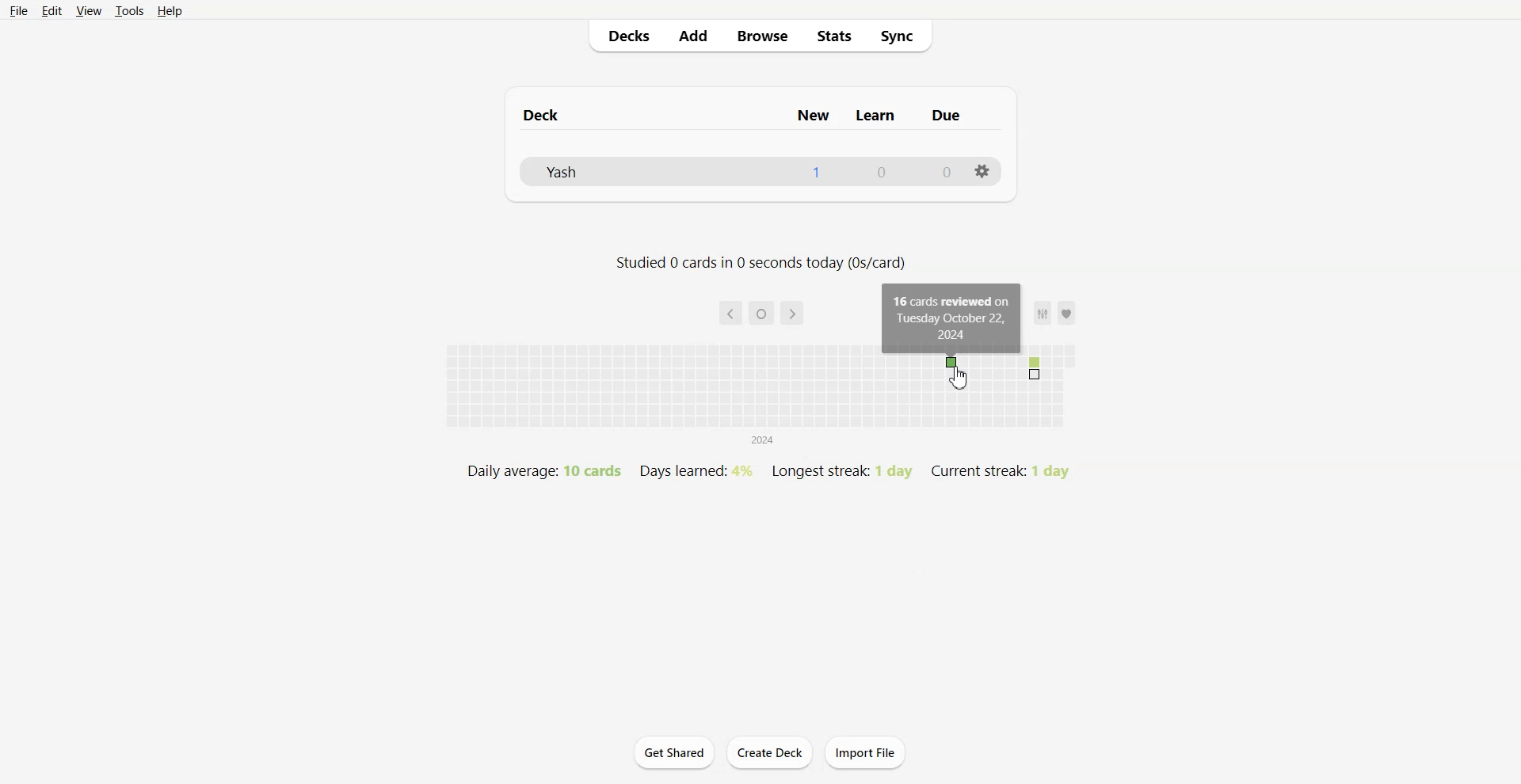 Image resolution: width=1521 pixels, height=784 pixels. What do you see at coordinates (998, 471) in the screenshot?
I see `current streak: 1 day` at bounding box center [998, 471].